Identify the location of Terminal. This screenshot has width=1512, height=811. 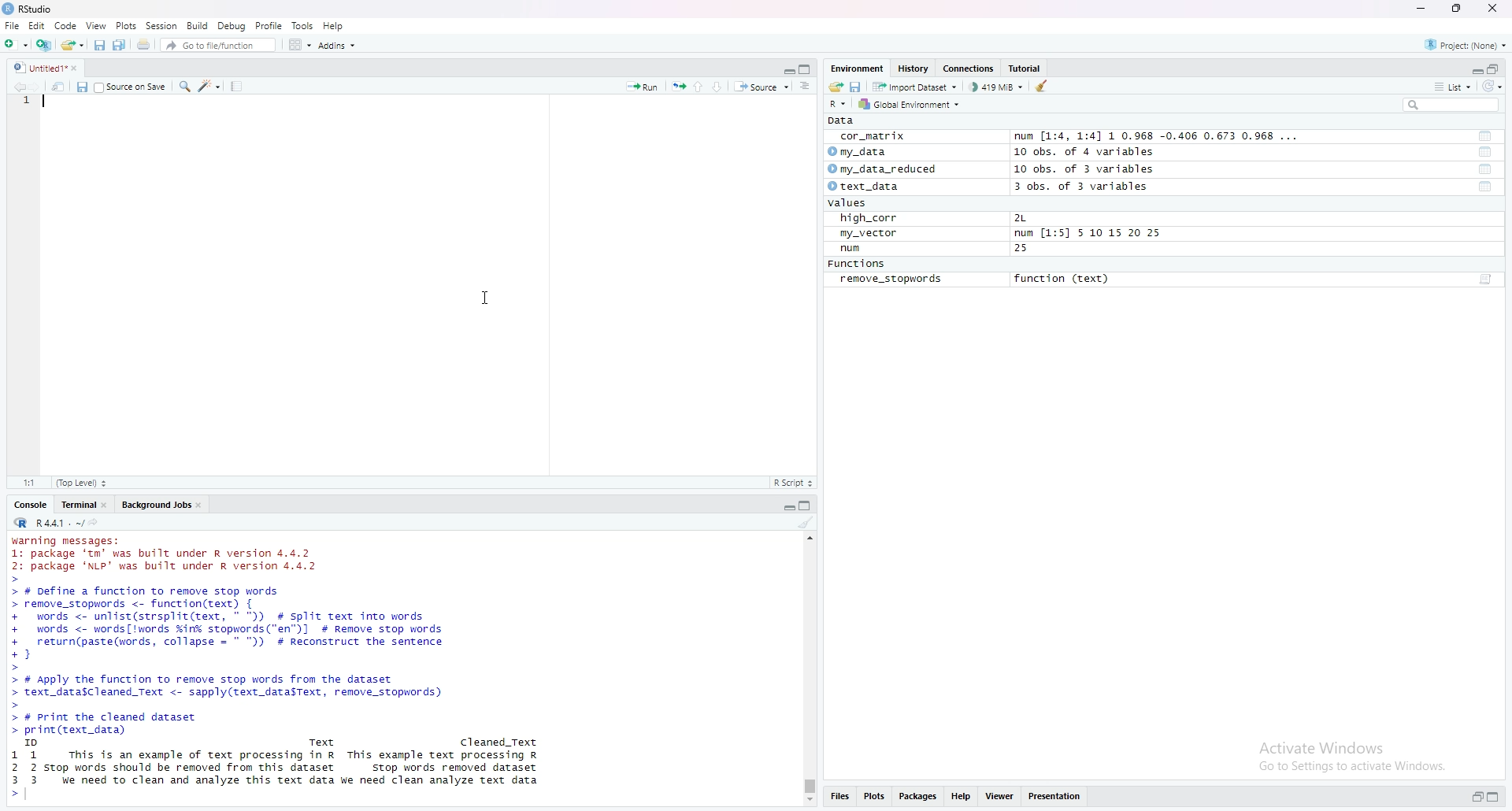
(83, 505).